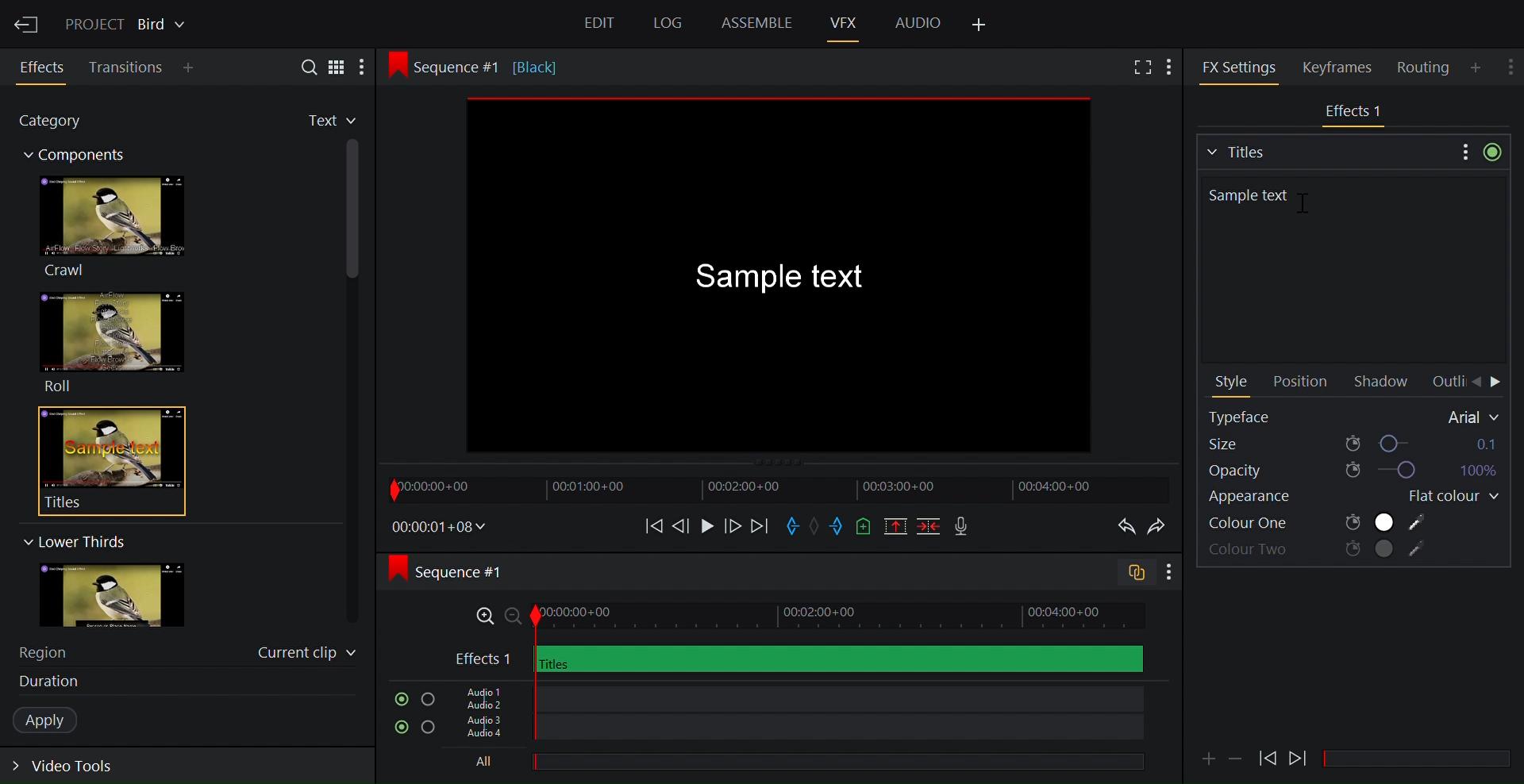  What do you see at coordinates (428, 700) in the screenshot?
I see `Solo this track` at bounding box center [428, 700].